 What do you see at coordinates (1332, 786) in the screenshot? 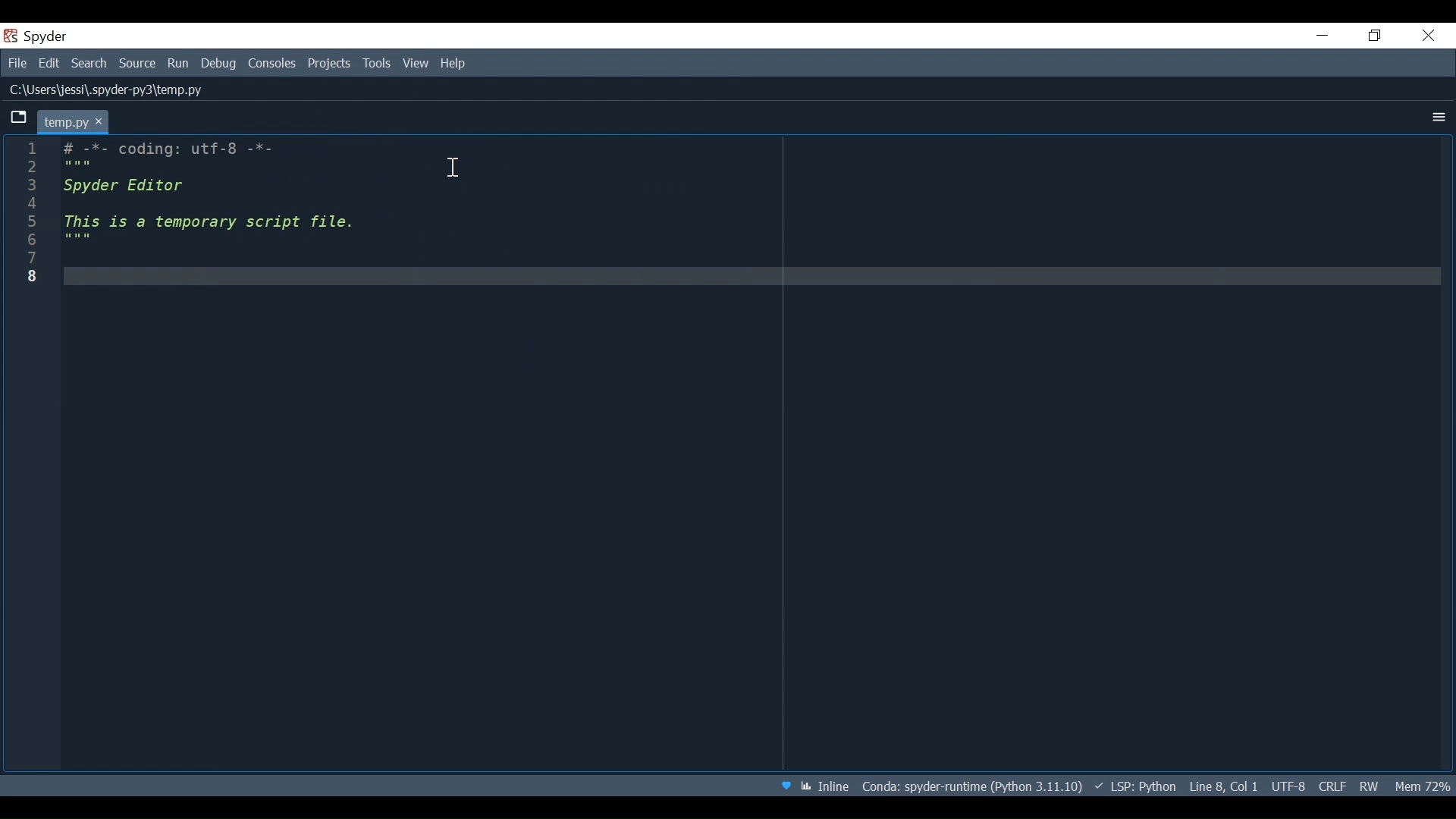
I see `File EQL Status` at bounding box center [1332, 786].